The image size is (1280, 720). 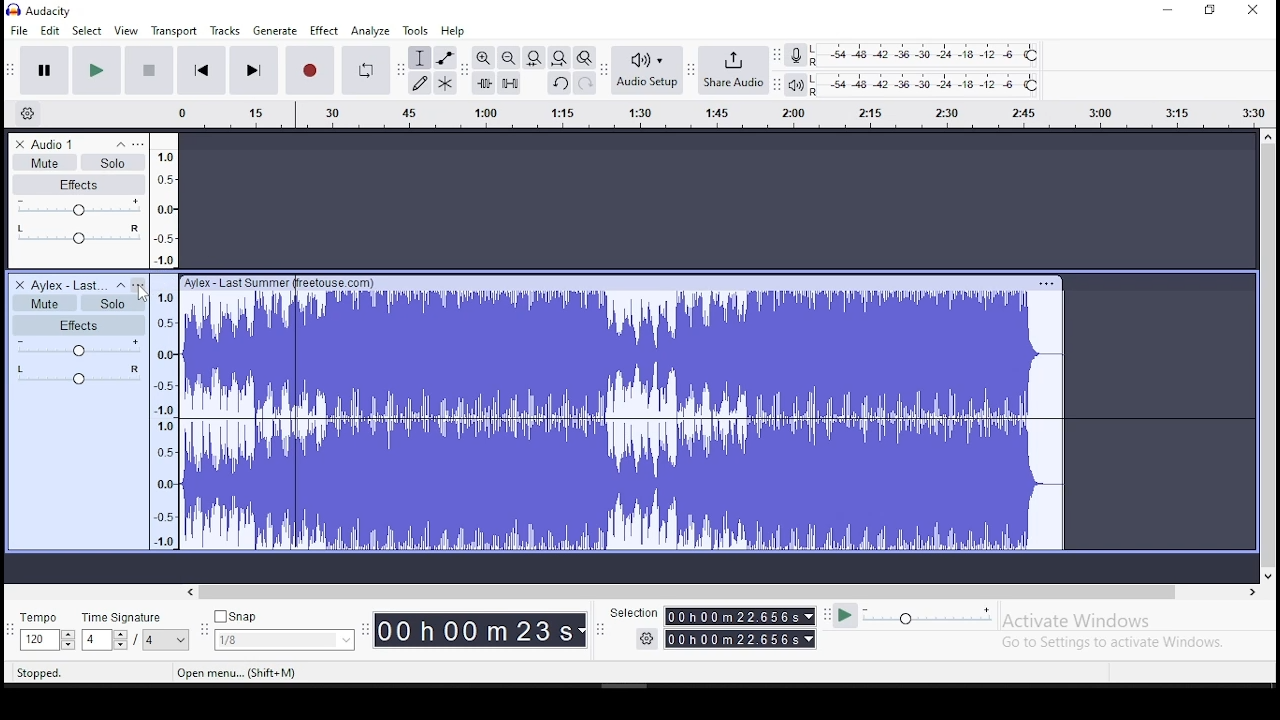 I want to click on play at speed, so click(x=846, y=616).